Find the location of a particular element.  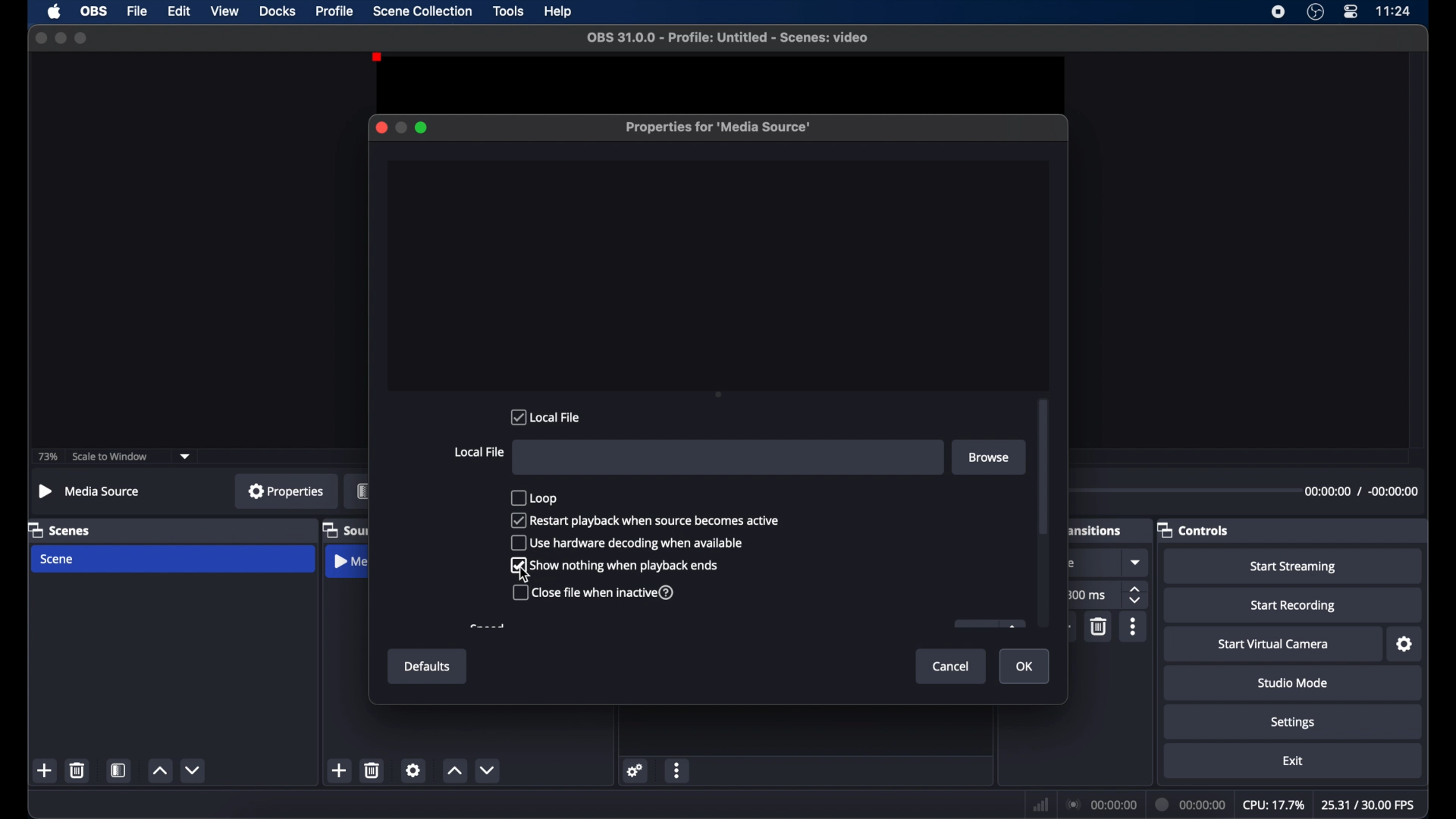

scene is located at coordinates (59, 560).